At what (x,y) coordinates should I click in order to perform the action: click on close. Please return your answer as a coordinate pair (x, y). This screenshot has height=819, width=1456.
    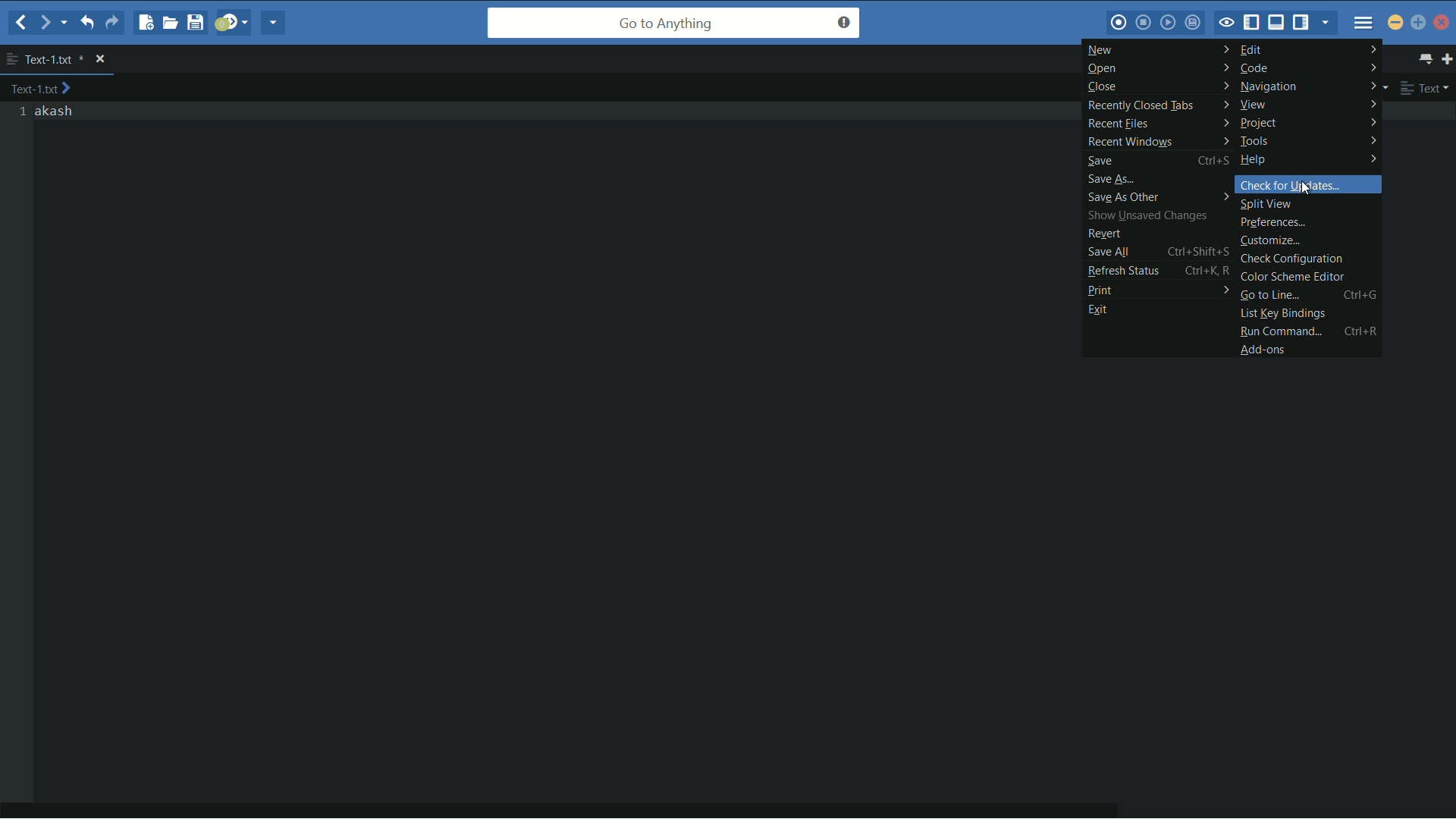
    Looking at the image, I should click on (1160, 86).